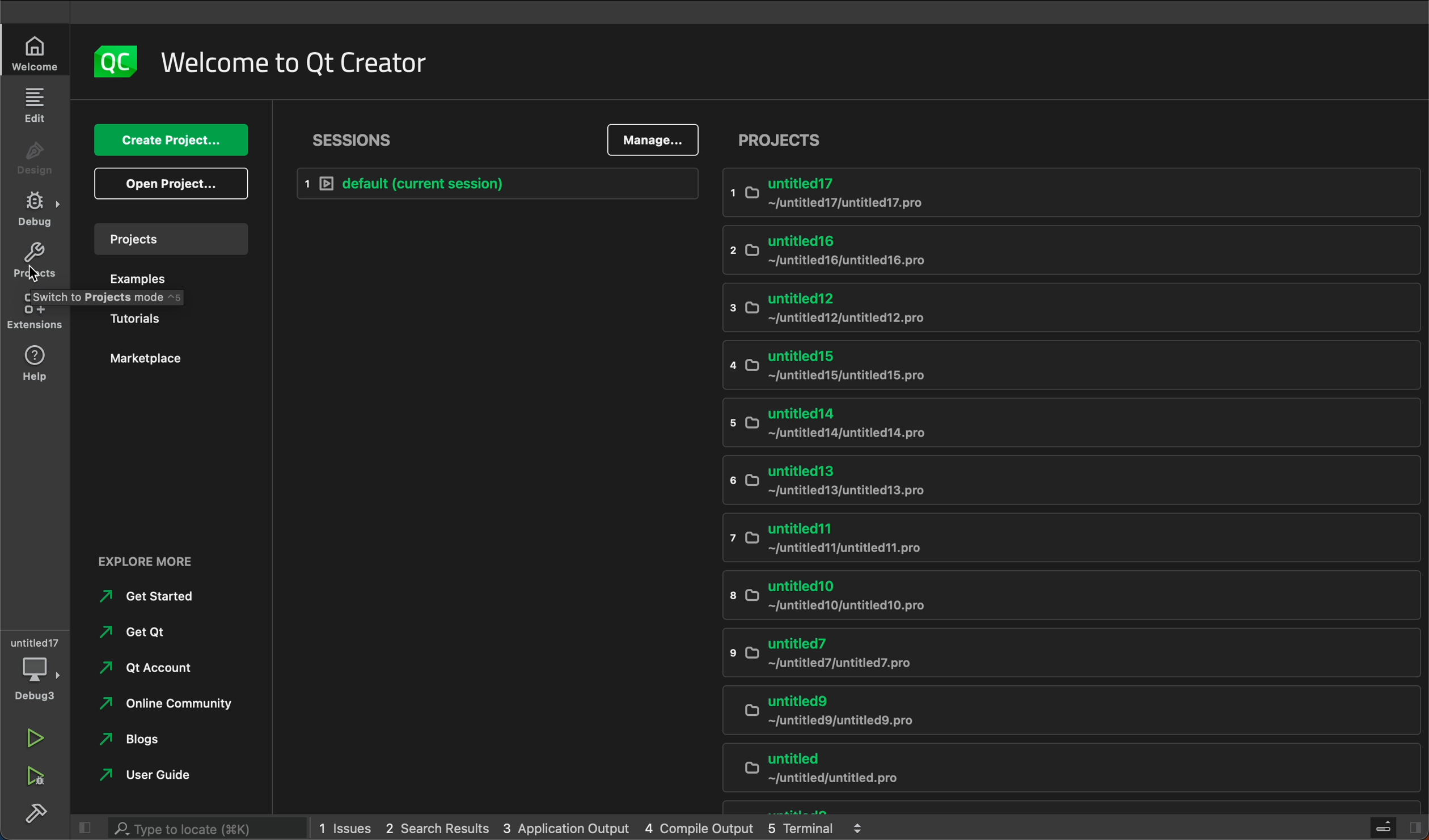 This screenshot has height=840, width=1429. What do you see at coordinates (1394, 826) in the screenshot?
I see `sidebat toggle ` at bounding box center [1394, 826].